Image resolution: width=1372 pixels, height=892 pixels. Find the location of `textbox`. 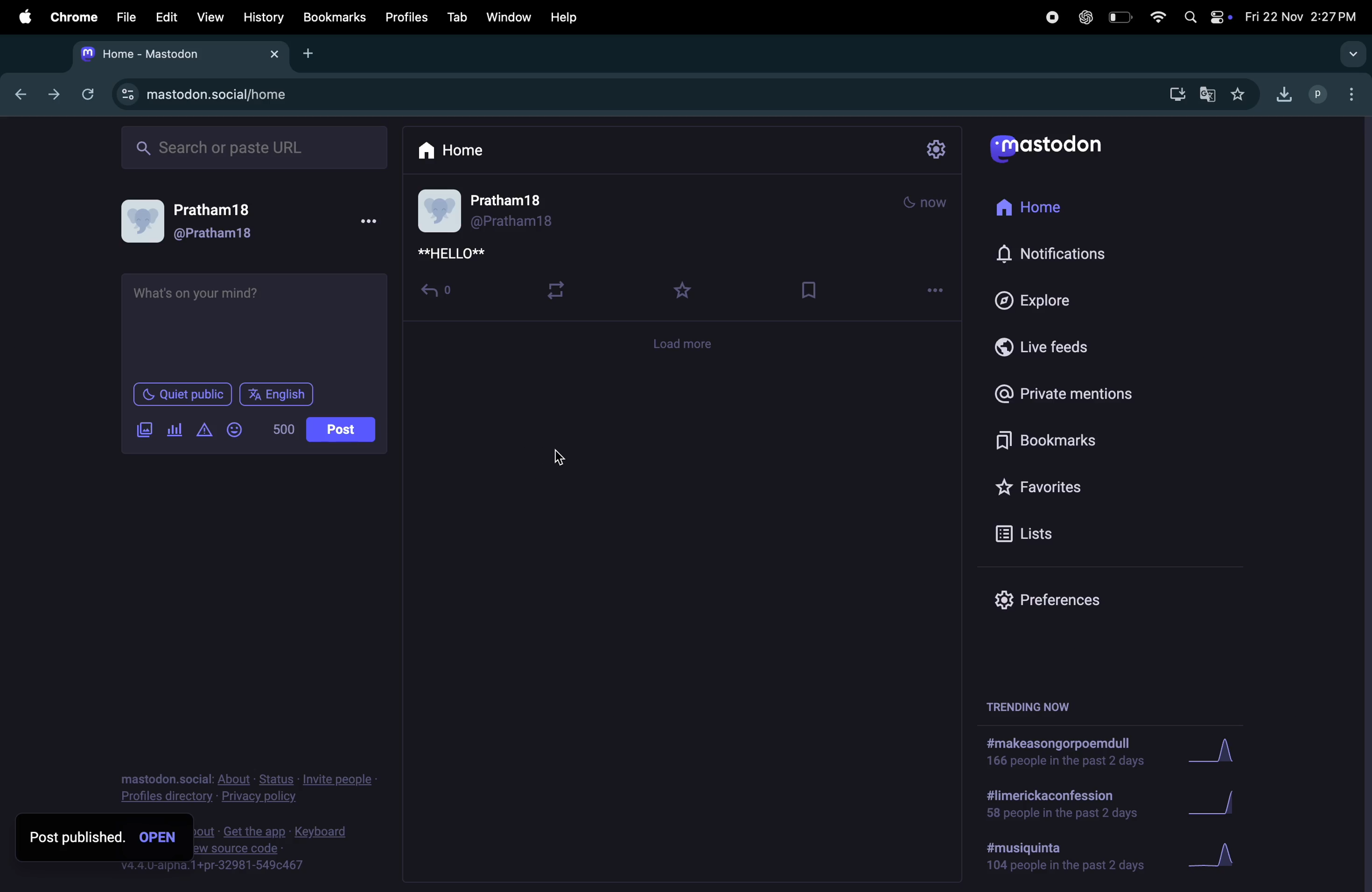

textbox is located at coordinates (254, 325).